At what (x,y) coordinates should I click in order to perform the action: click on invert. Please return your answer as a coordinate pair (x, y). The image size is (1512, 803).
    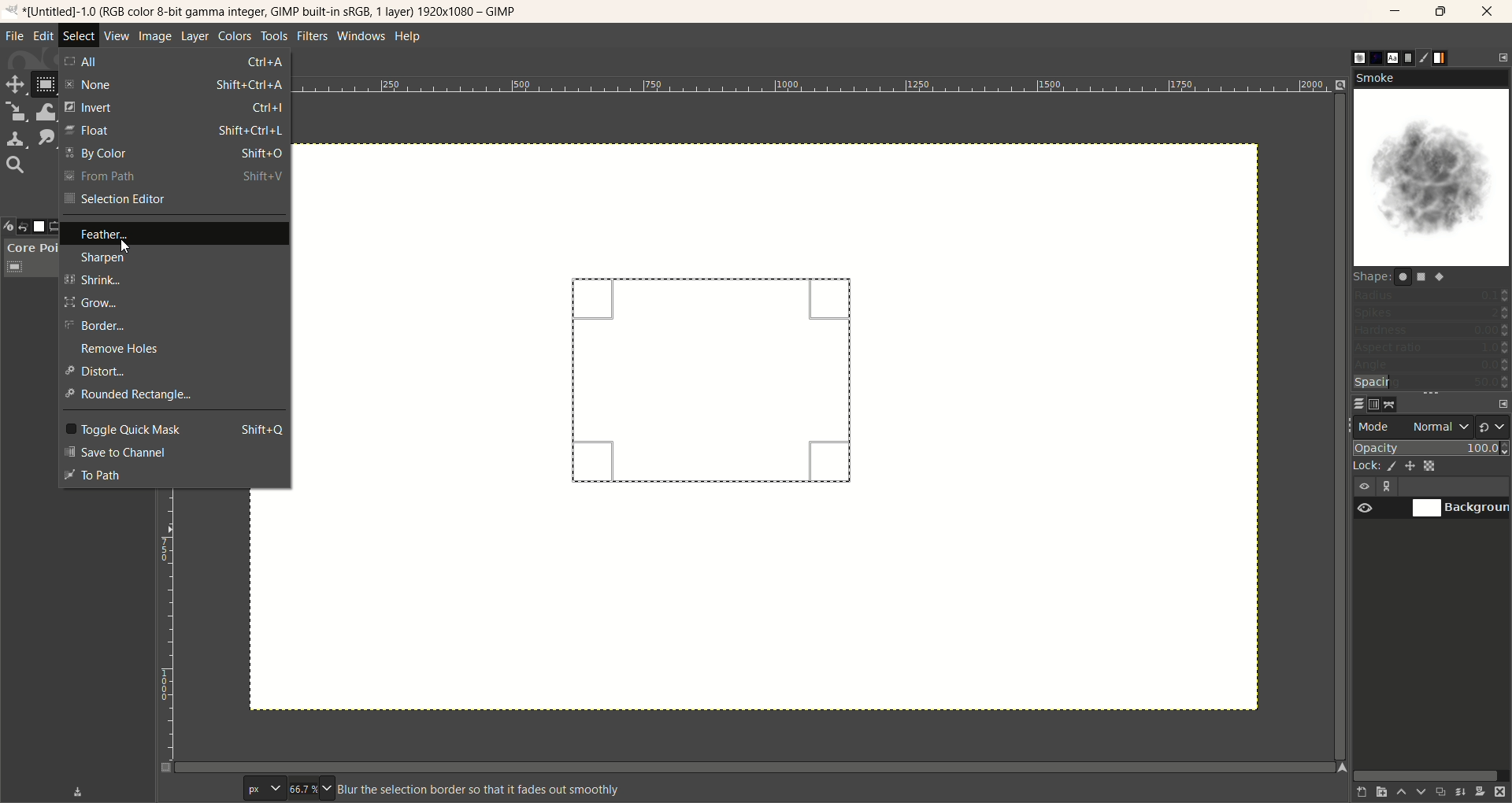
    Looking at the image, I should click on (172, 108).